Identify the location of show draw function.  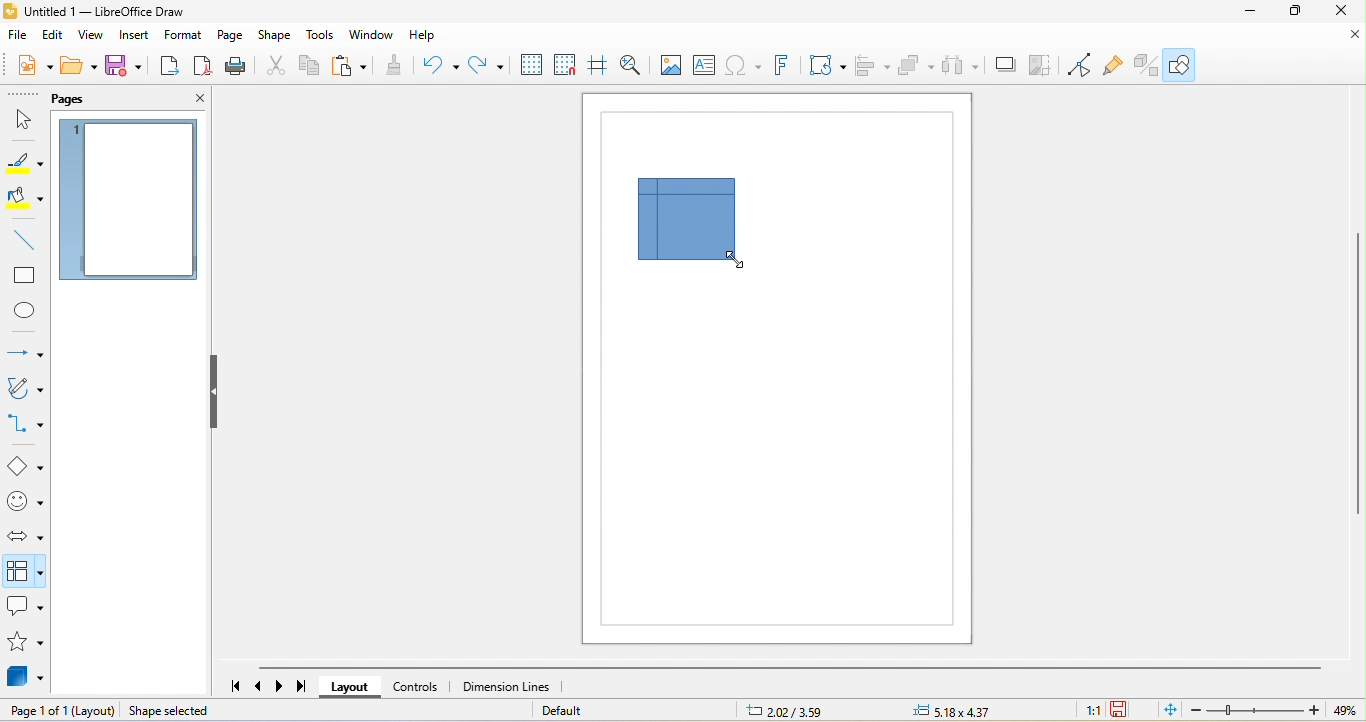
(1179, 65).